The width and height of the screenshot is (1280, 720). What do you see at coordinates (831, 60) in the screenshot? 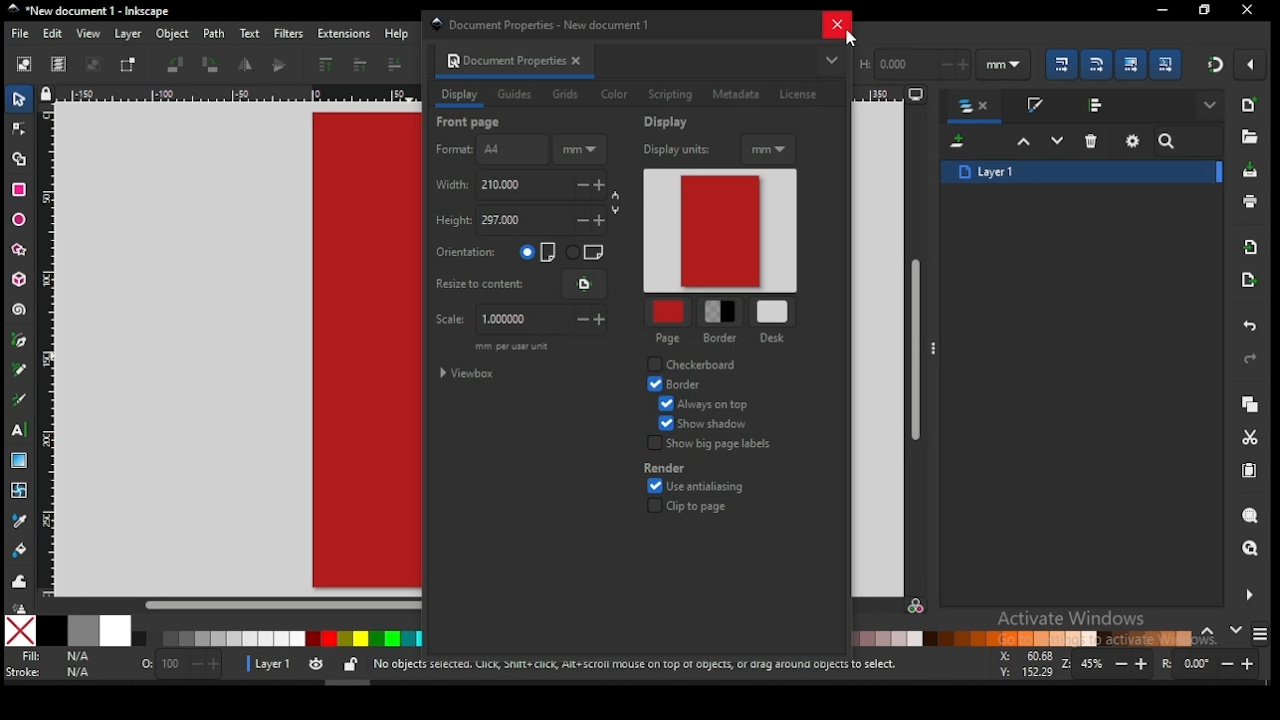
I see `more options` at bounding box center [831, 60].